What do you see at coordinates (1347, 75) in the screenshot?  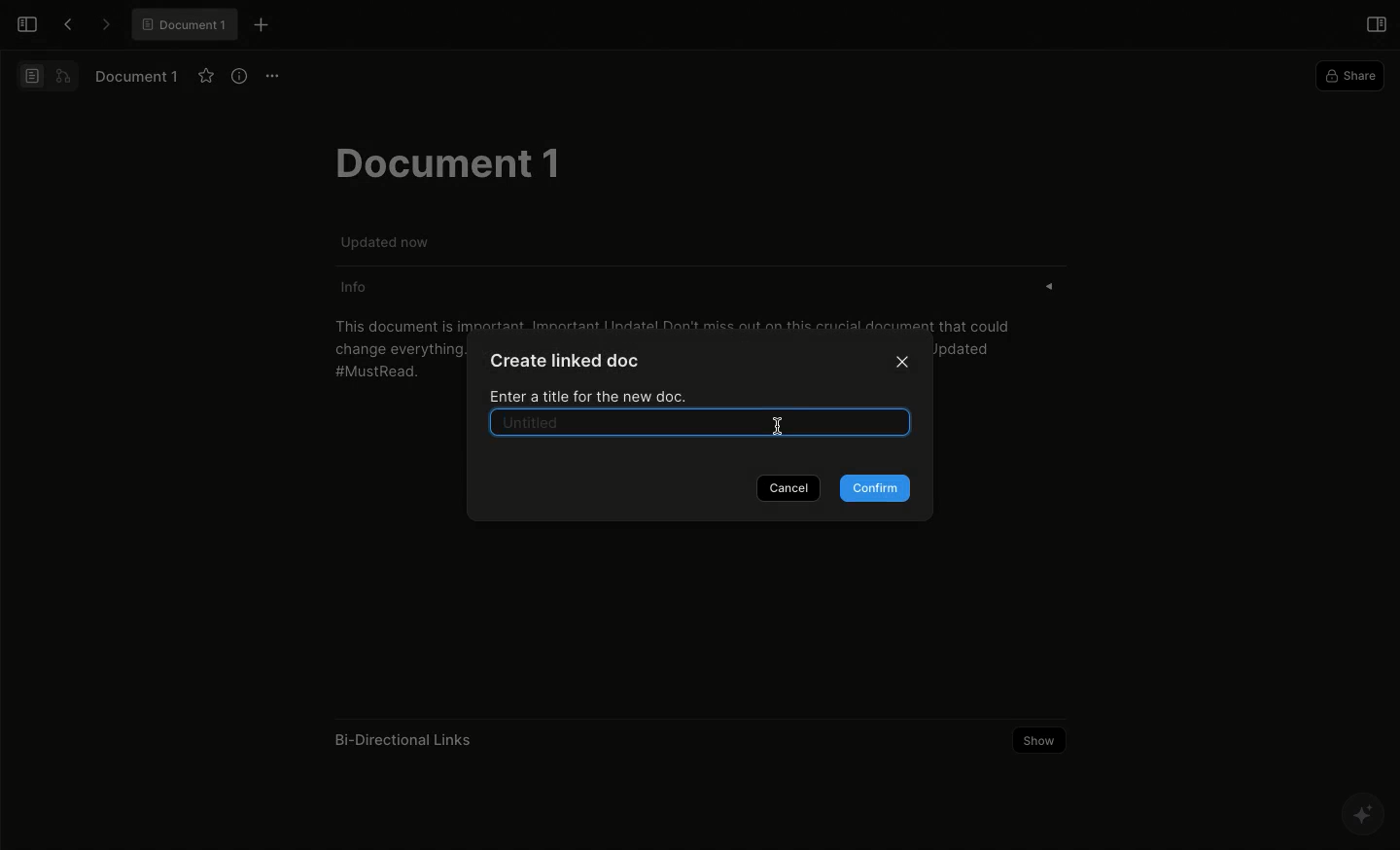 I see `Share` at bounding box center [1347, 75].